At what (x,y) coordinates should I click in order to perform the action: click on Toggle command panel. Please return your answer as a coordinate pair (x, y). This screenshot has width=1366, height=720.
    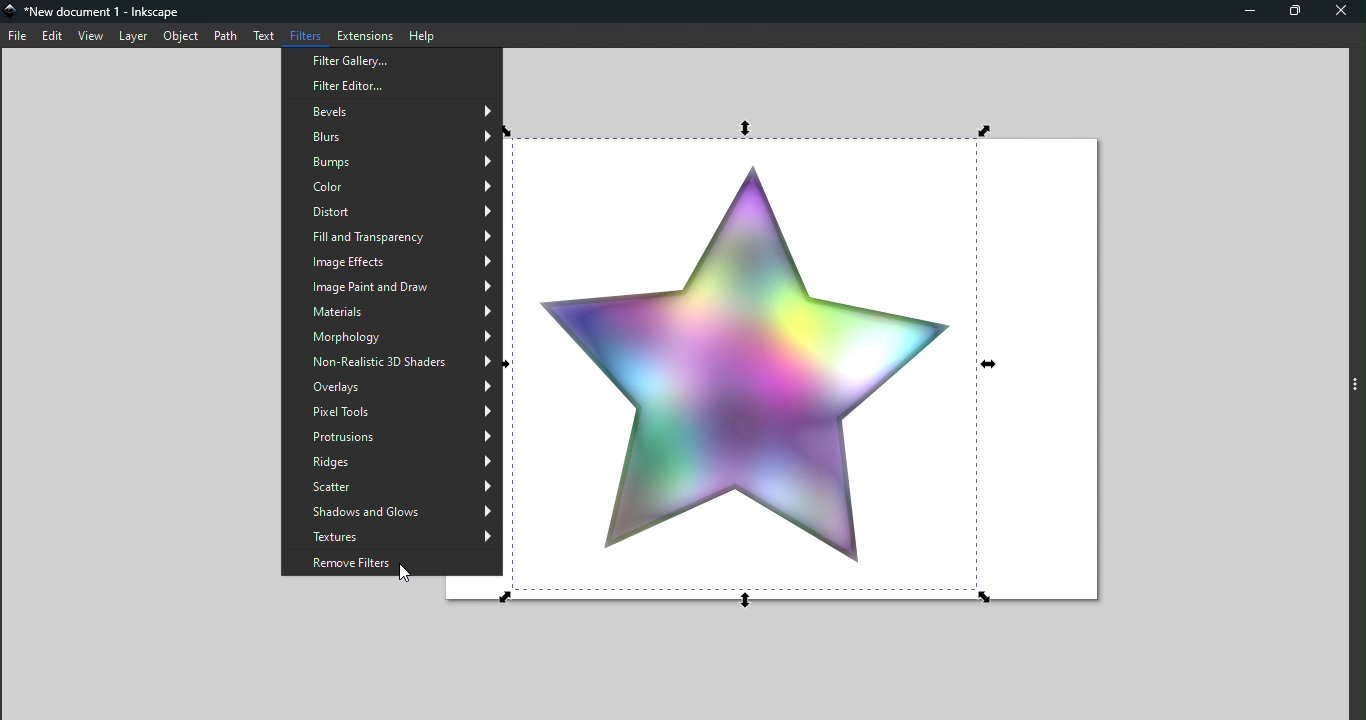
    Looking at the image, I should click on (1356, 378).